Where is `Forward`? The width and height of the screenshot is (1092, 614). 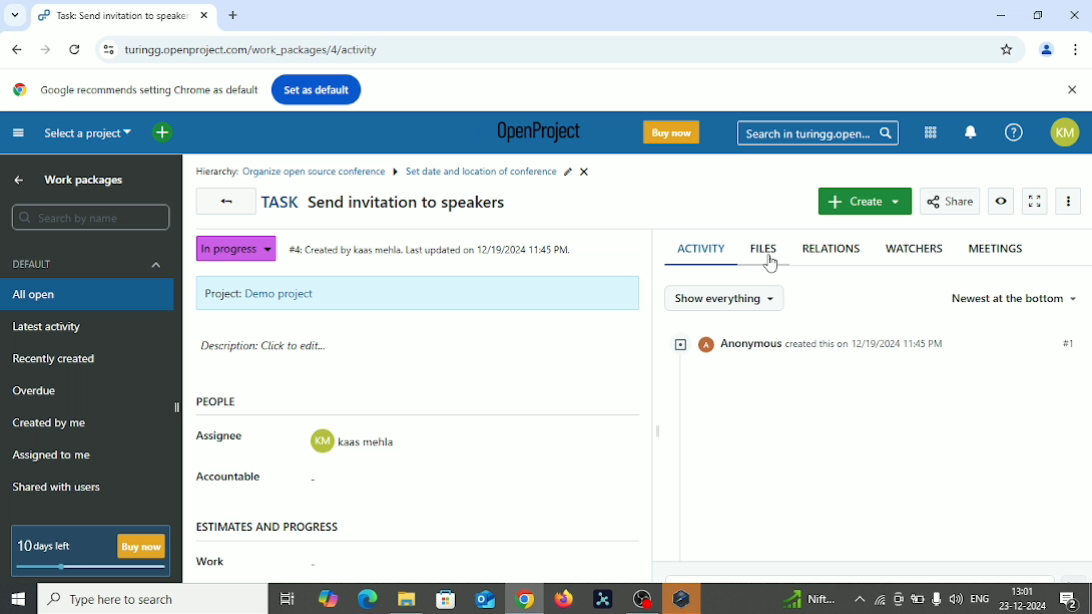
Forward is located at coordinates (45, 49).